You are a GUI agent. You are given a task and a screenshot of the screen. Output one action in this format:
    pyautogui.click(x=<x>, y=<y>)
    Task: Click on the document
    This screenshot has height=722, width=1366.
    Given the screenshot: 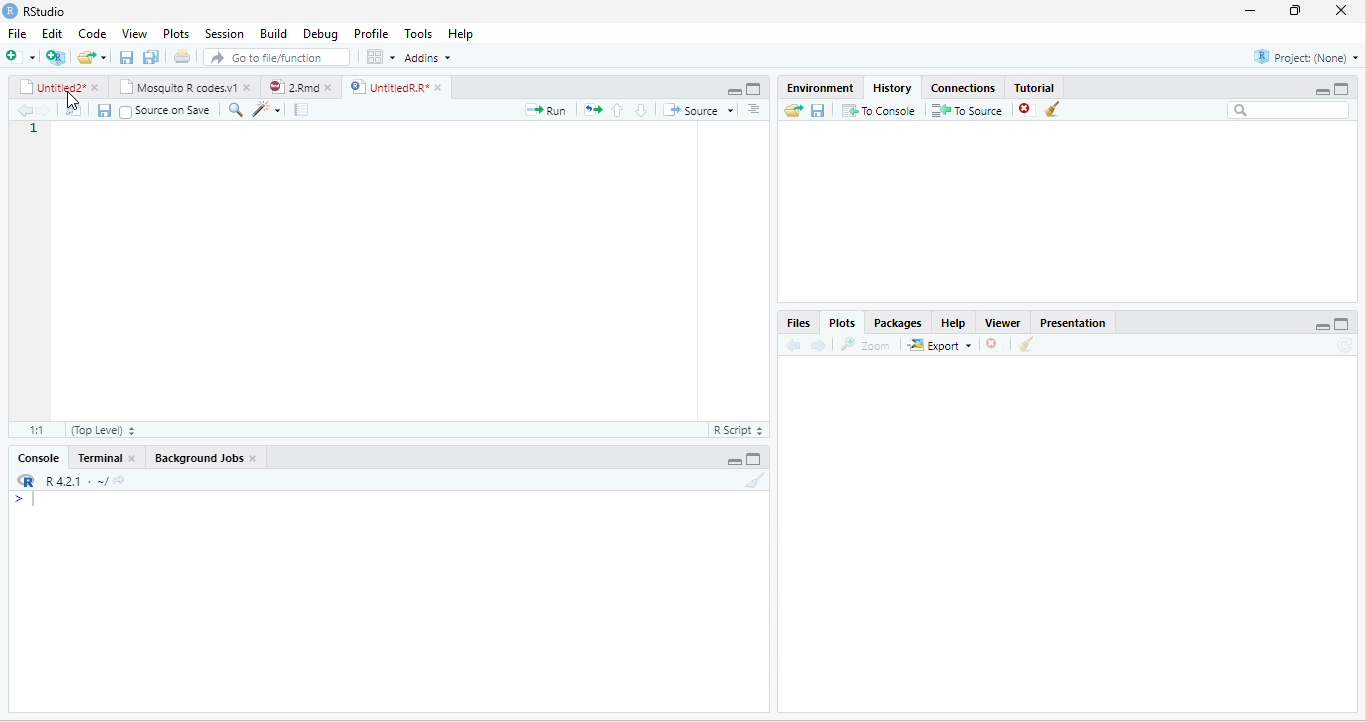 What is the action you would take?
    pyautogui.click(x=181, y=56)
    